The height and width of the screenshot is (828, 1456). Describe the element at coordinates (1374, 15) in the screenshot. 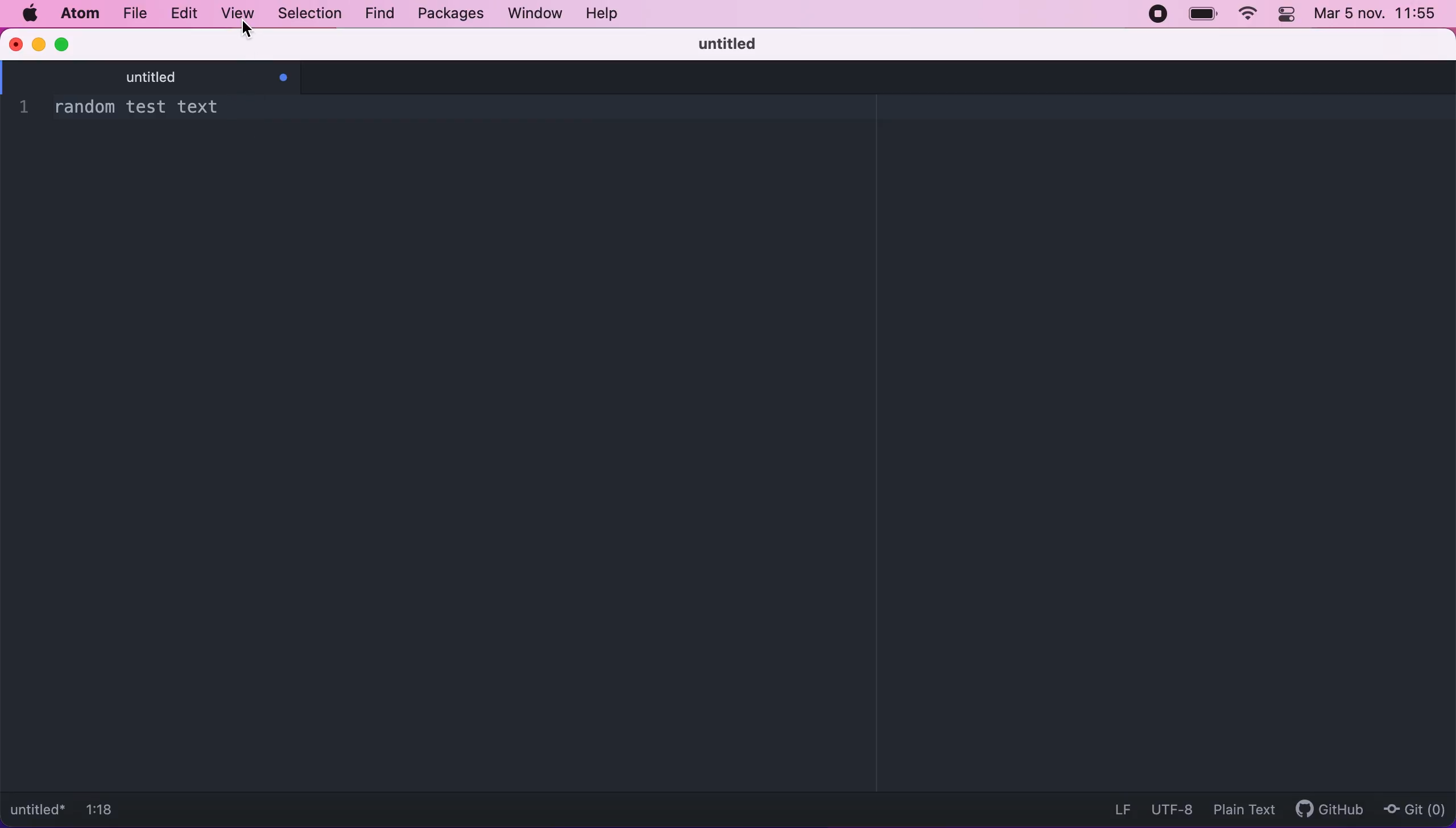

I see `Mar 5 nov. 11:55` at that location.